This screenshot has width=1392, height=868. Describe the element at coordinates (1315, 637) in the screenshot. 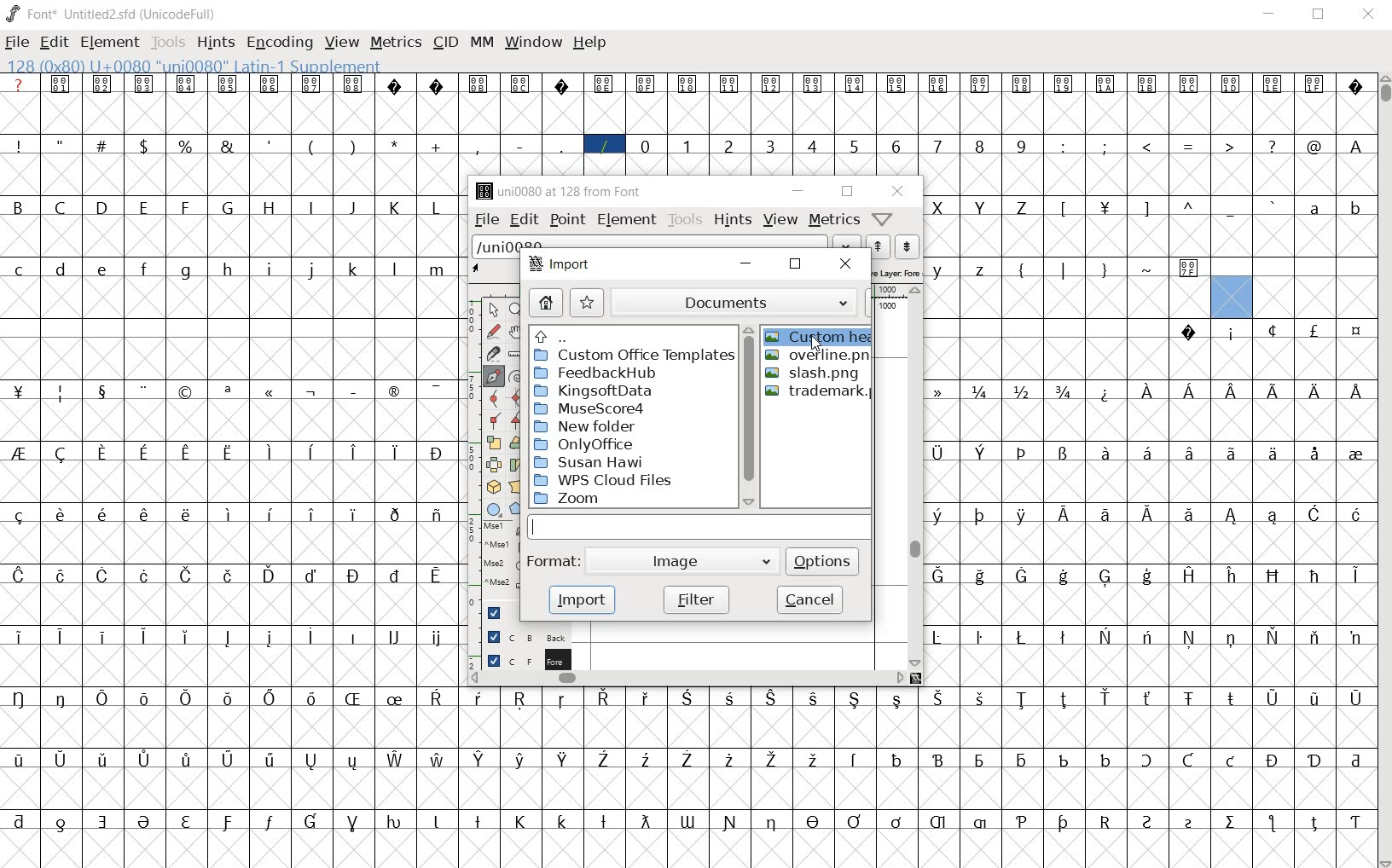

I see `glyph` at that location.